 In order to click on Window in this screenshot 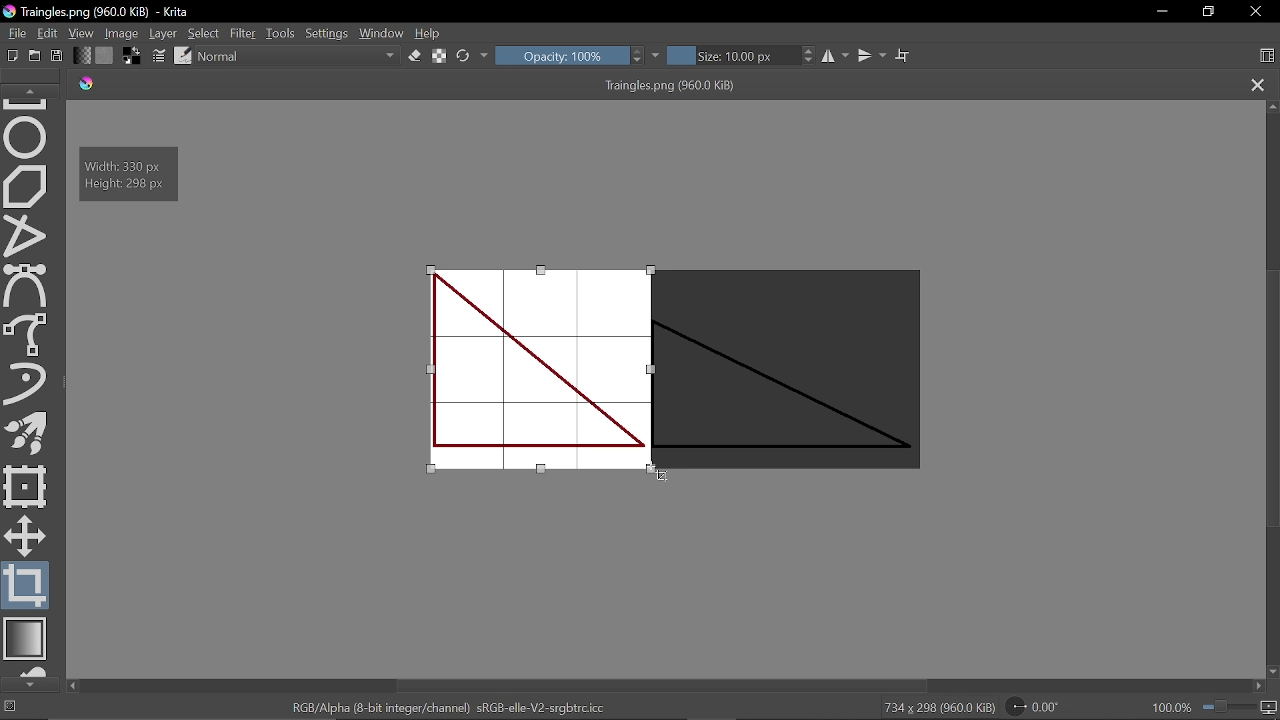, I will do `click(382, 33)`.